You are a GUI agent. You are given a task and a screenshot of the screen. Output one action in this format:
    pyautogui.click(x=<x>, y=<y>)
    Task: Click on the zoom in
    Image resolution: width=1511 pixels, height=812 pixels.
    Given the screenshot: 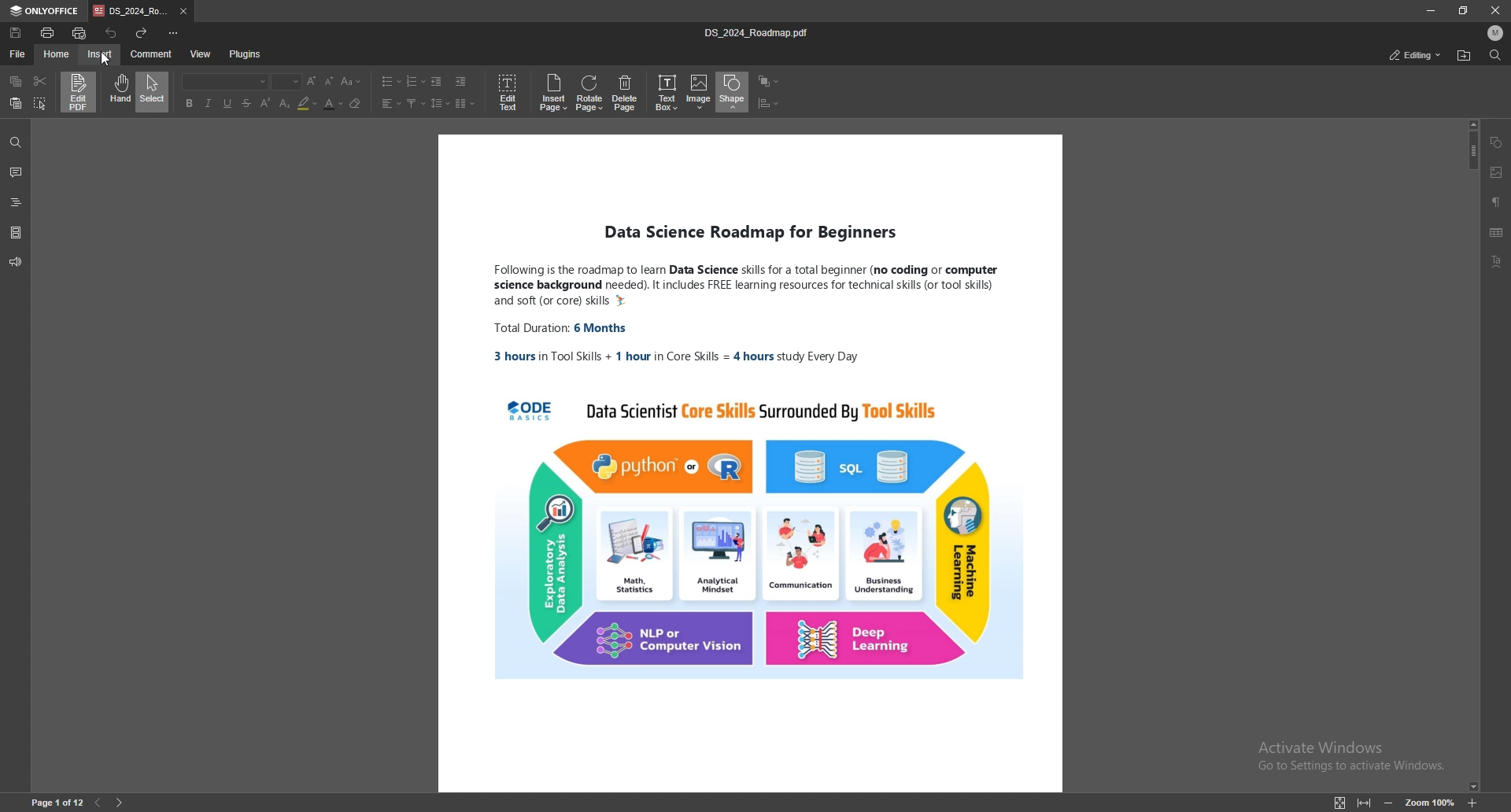 What is the action you would take?
    pyautogui.click(x=1472, y=804)
    